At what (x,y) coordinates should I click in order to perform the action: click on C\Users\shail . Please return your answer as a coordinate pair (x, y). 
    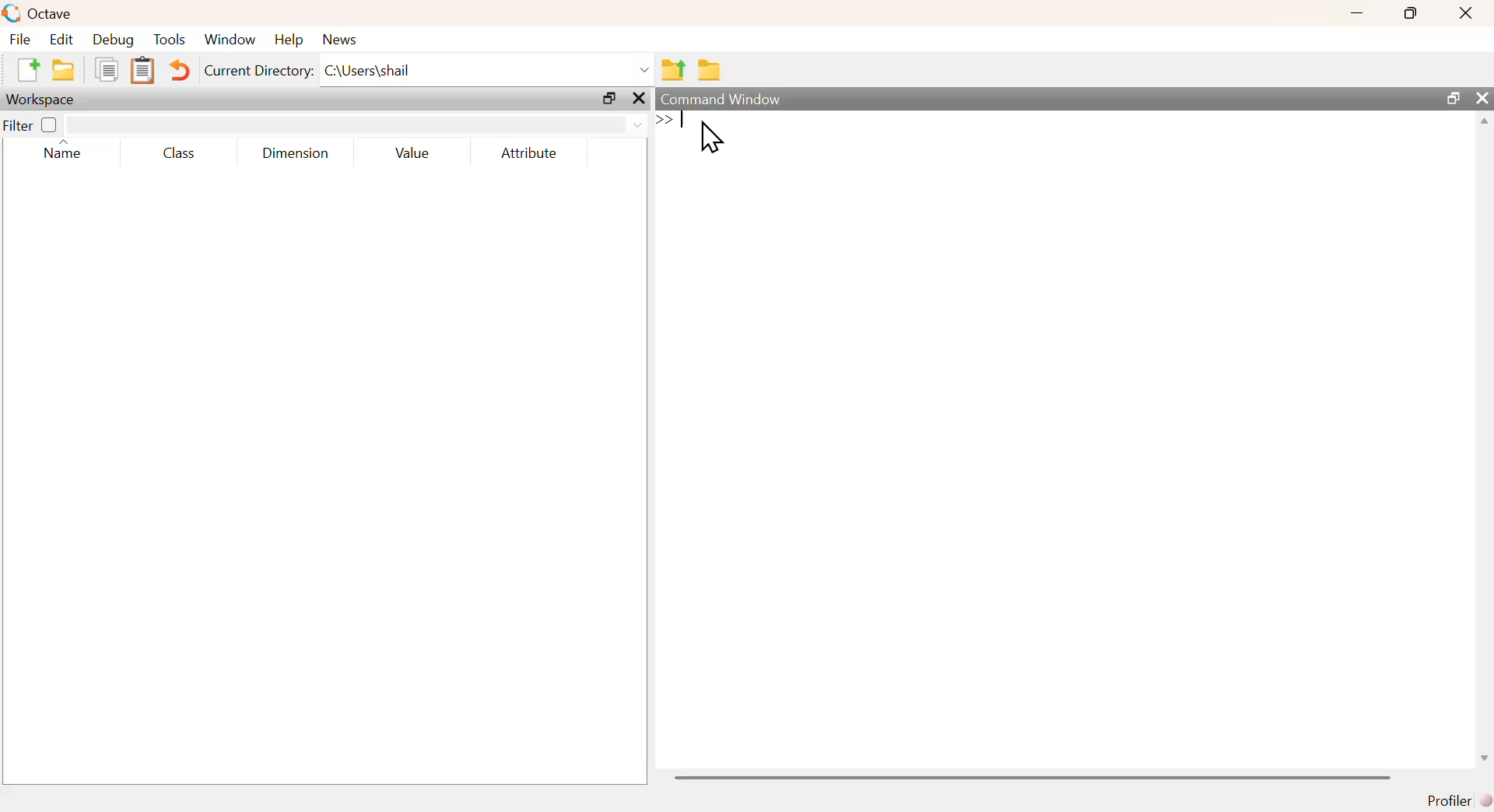
    Looking at the image, I should click on (488, 69).